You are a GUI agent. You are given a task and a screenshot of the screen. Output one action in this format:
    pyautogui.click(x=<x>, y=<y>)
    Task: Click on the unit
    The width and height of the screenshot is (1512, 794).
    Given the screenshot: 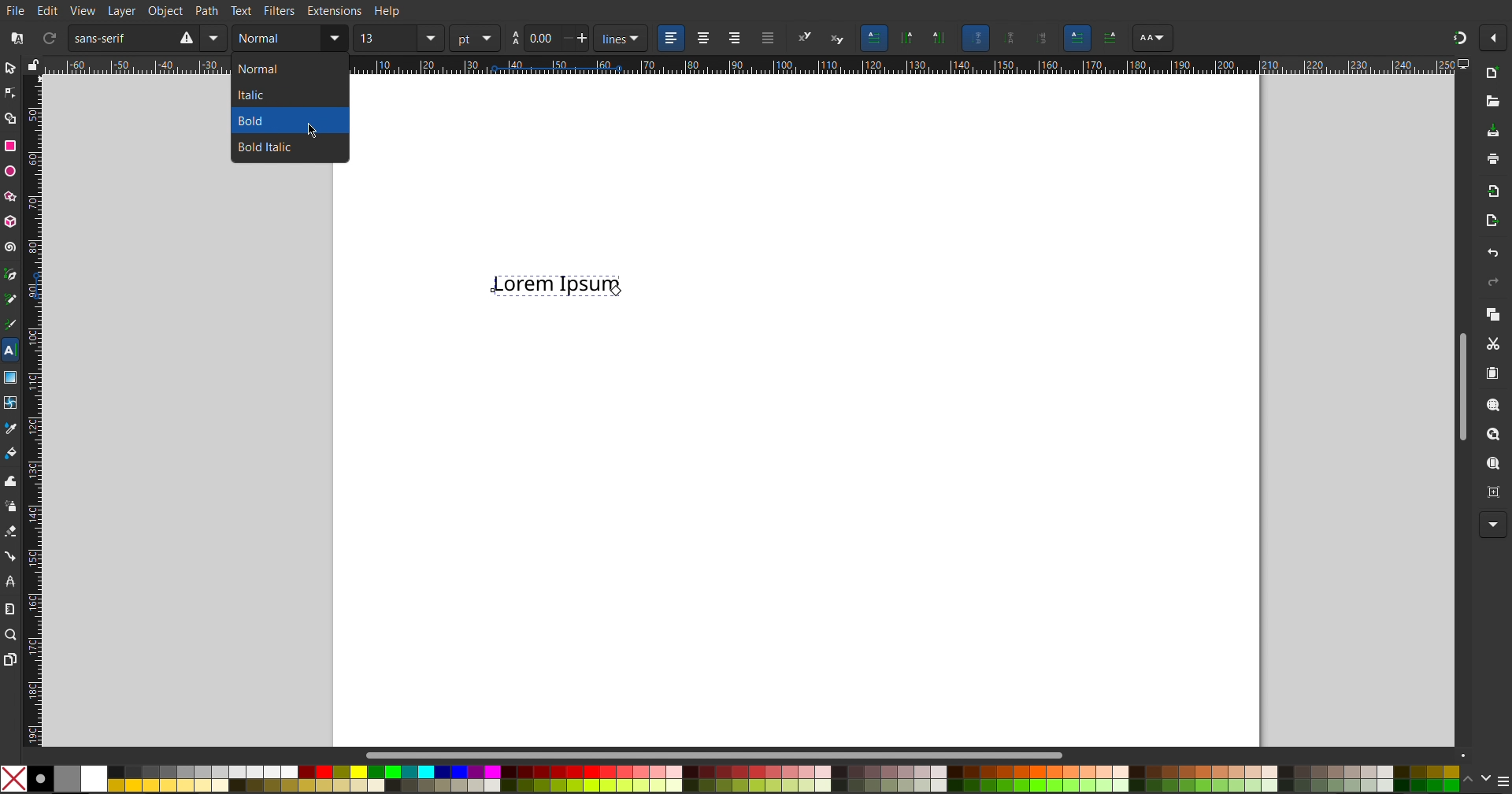 What is the action you would take?
    pyautogui.click(x=474, y=39)
    